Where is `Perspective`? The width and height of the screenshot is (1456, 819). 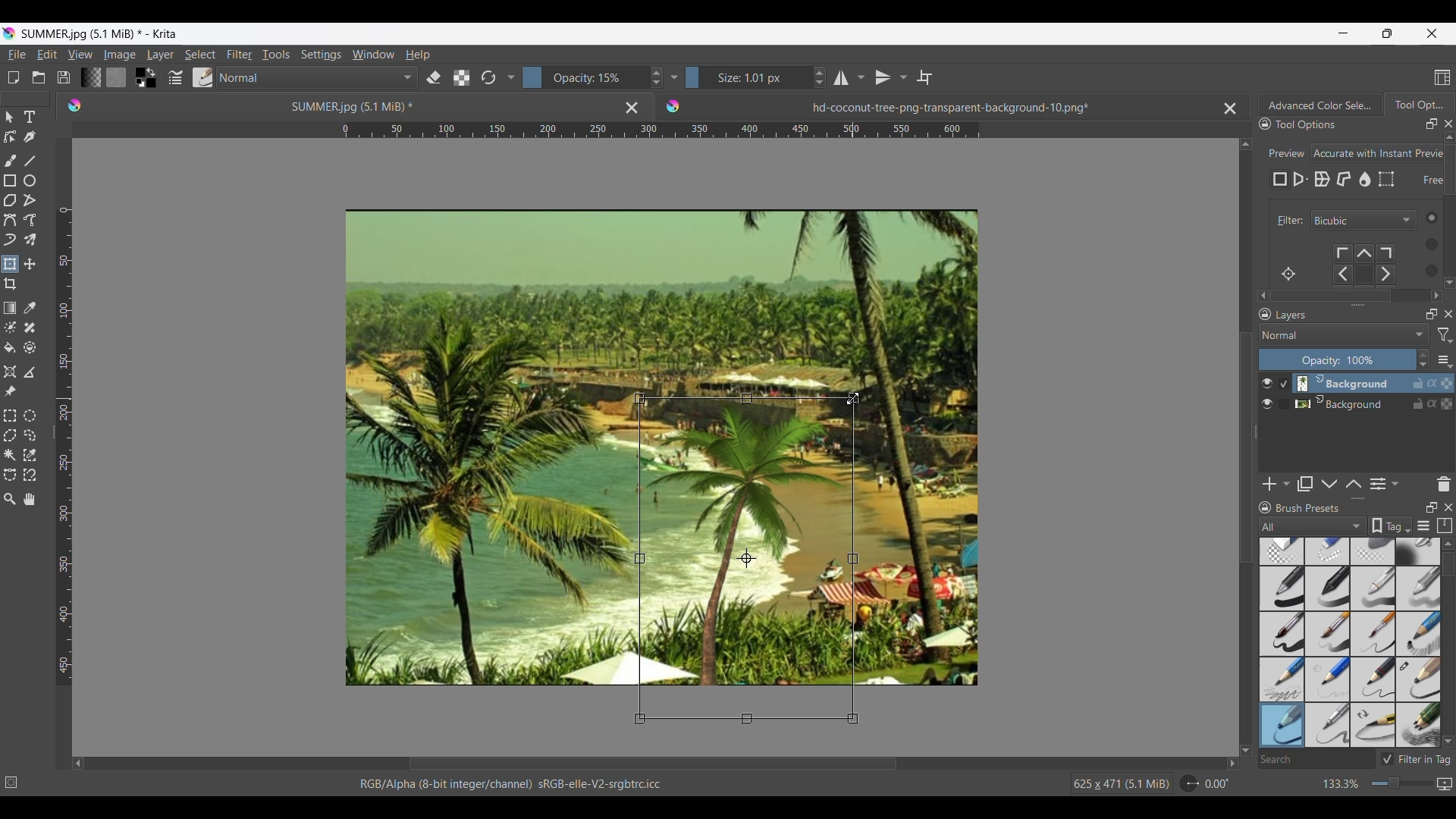 Perspective is located at coordinates (1301, 180).